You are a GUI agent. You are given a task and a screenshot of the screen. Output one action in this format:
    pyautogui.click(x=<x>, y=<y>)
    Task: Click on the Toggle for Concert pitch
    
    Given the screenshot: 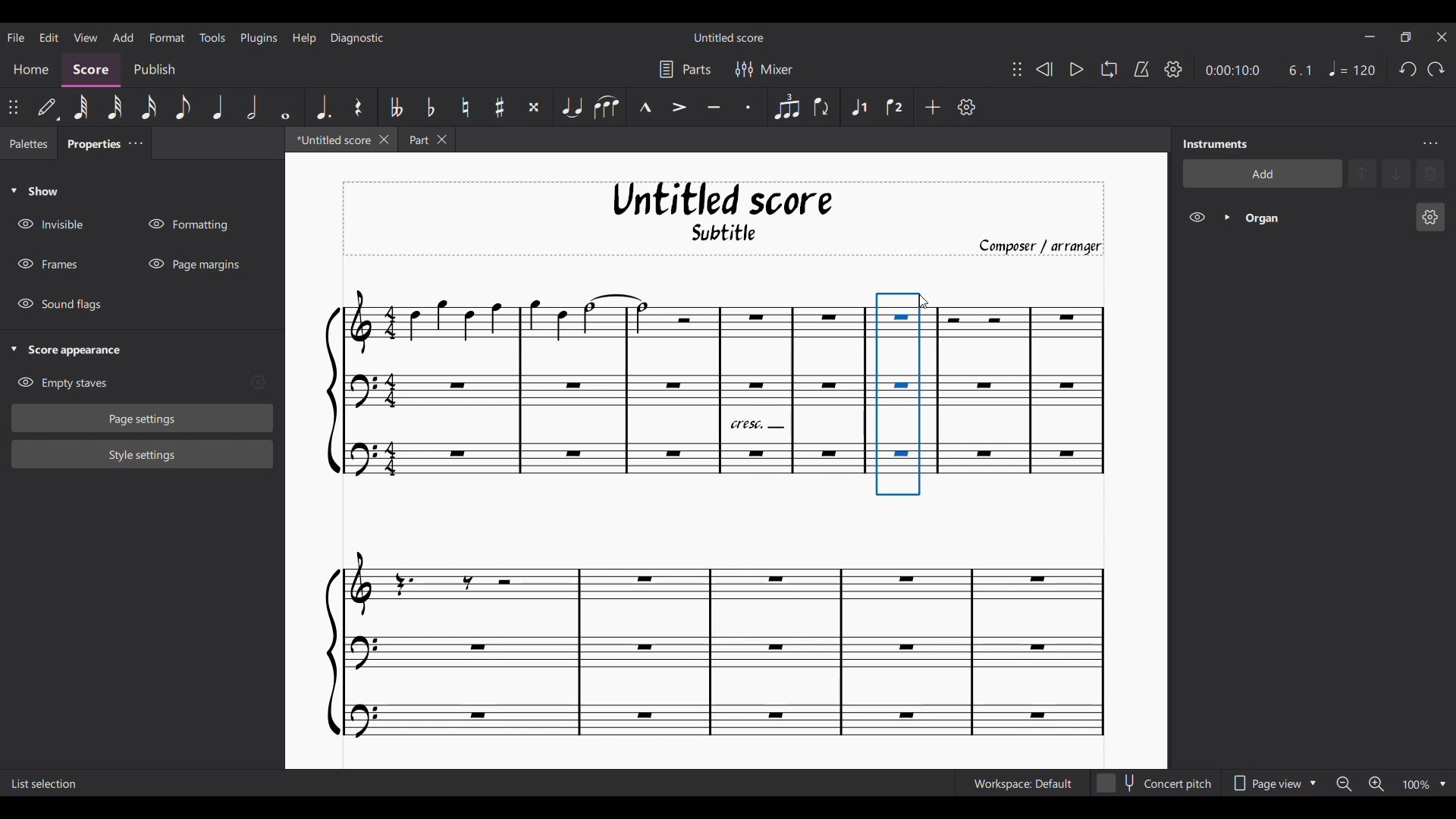 What is the action you would take?
    pyautogui.click(x=1153, y=783)
    